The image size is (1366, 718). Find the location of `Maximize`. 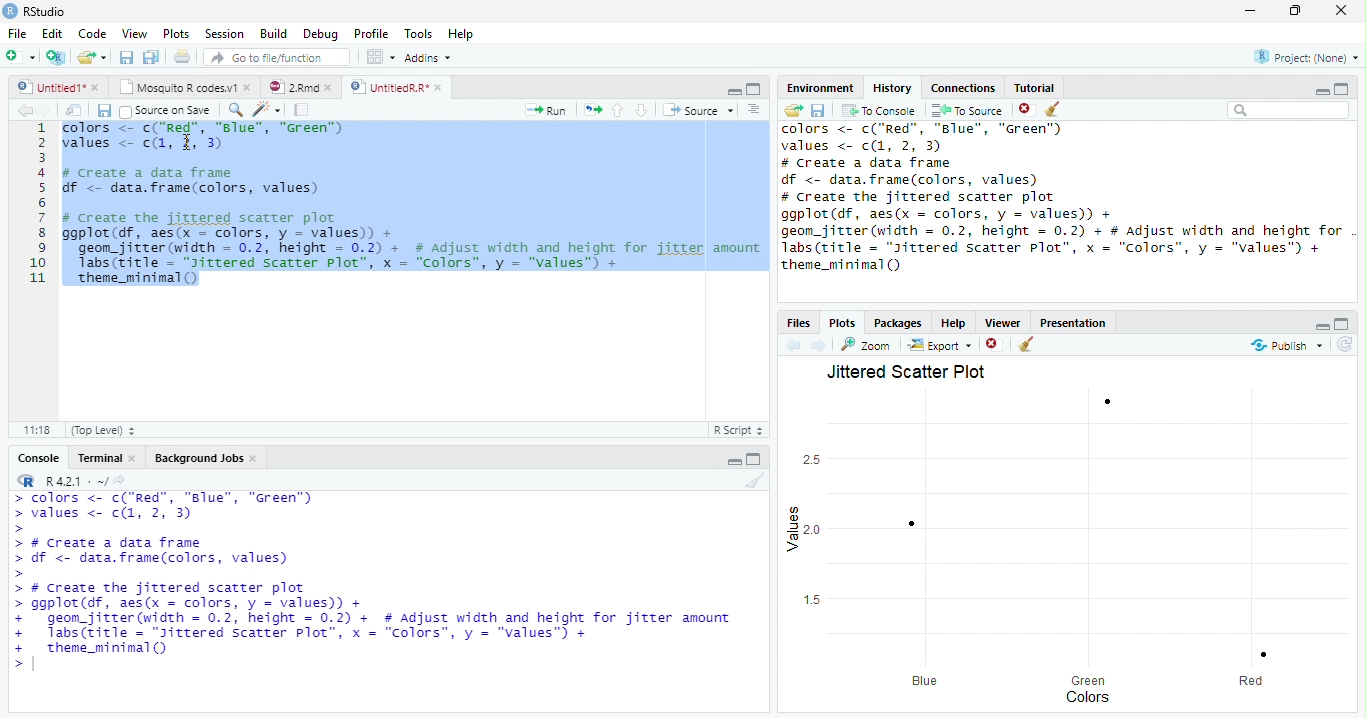

Maximize is located at coordinates (754, 89).